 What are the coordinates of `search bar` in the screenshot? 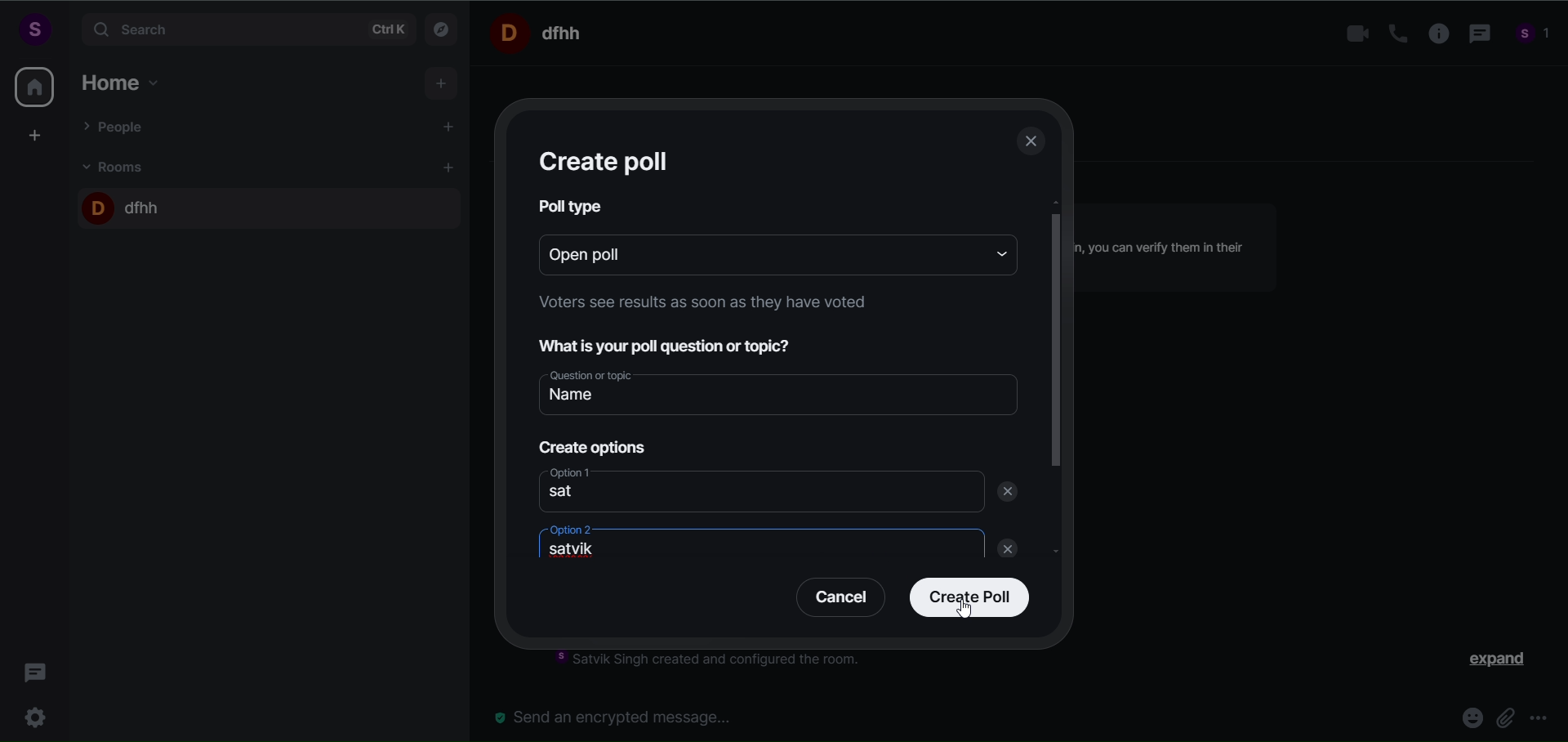 It's located at (245, 29).